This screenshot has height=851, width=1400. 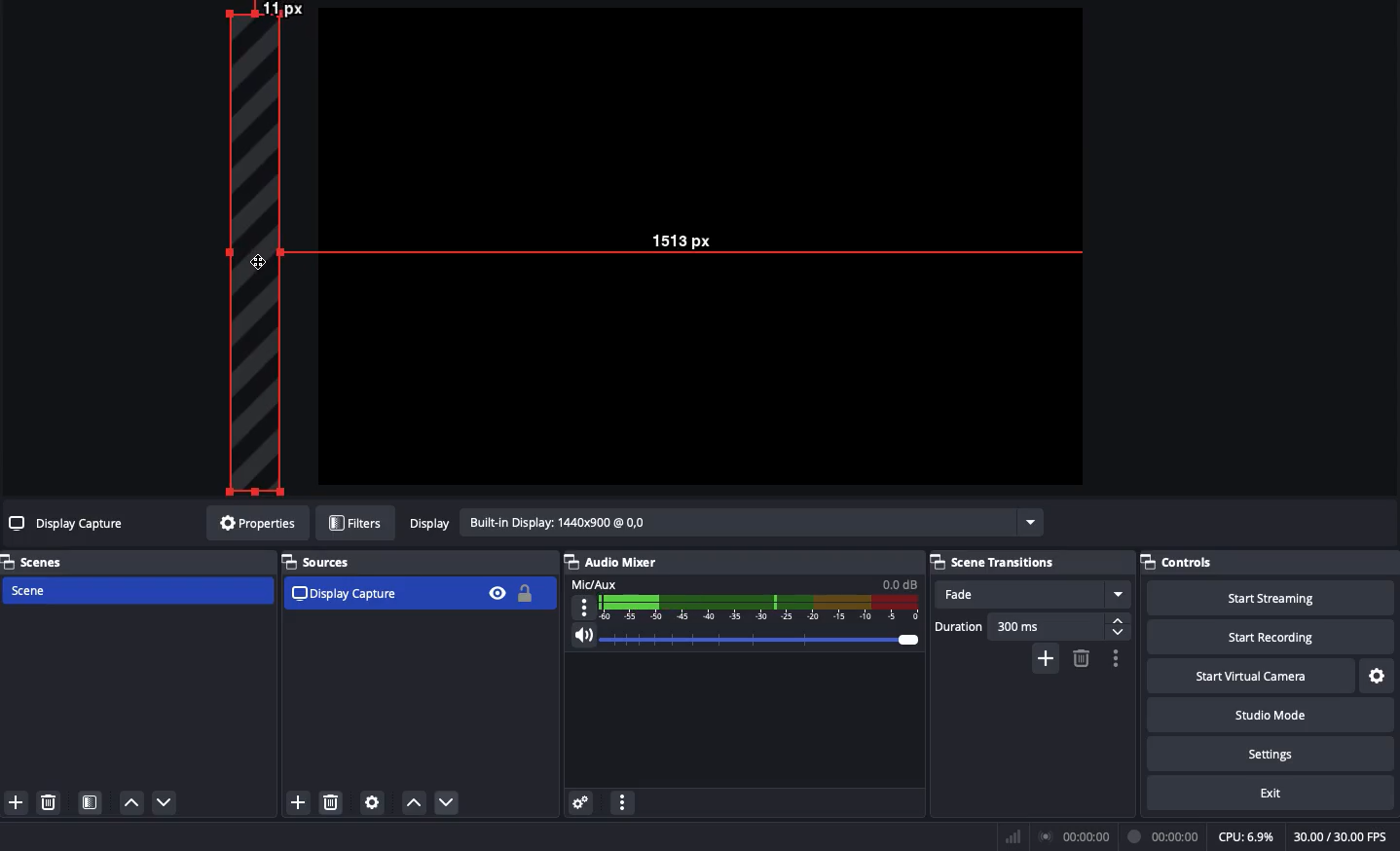 What do you see at coordinates (323, 562) in the screenshot?
I see `Sources` at bounding box center [323, 562].